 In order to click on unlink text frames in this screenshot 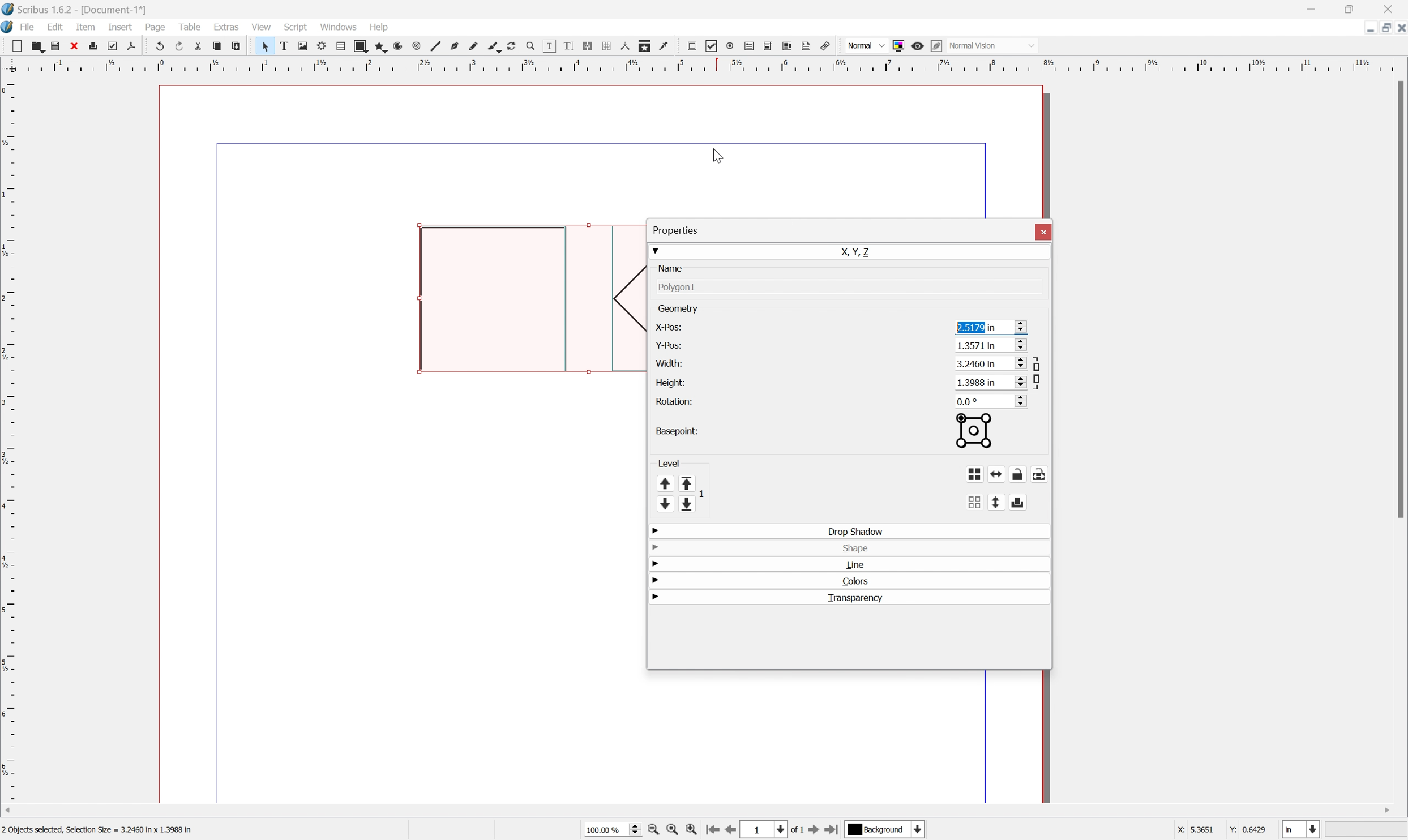, I will do `click(605, 46)`.